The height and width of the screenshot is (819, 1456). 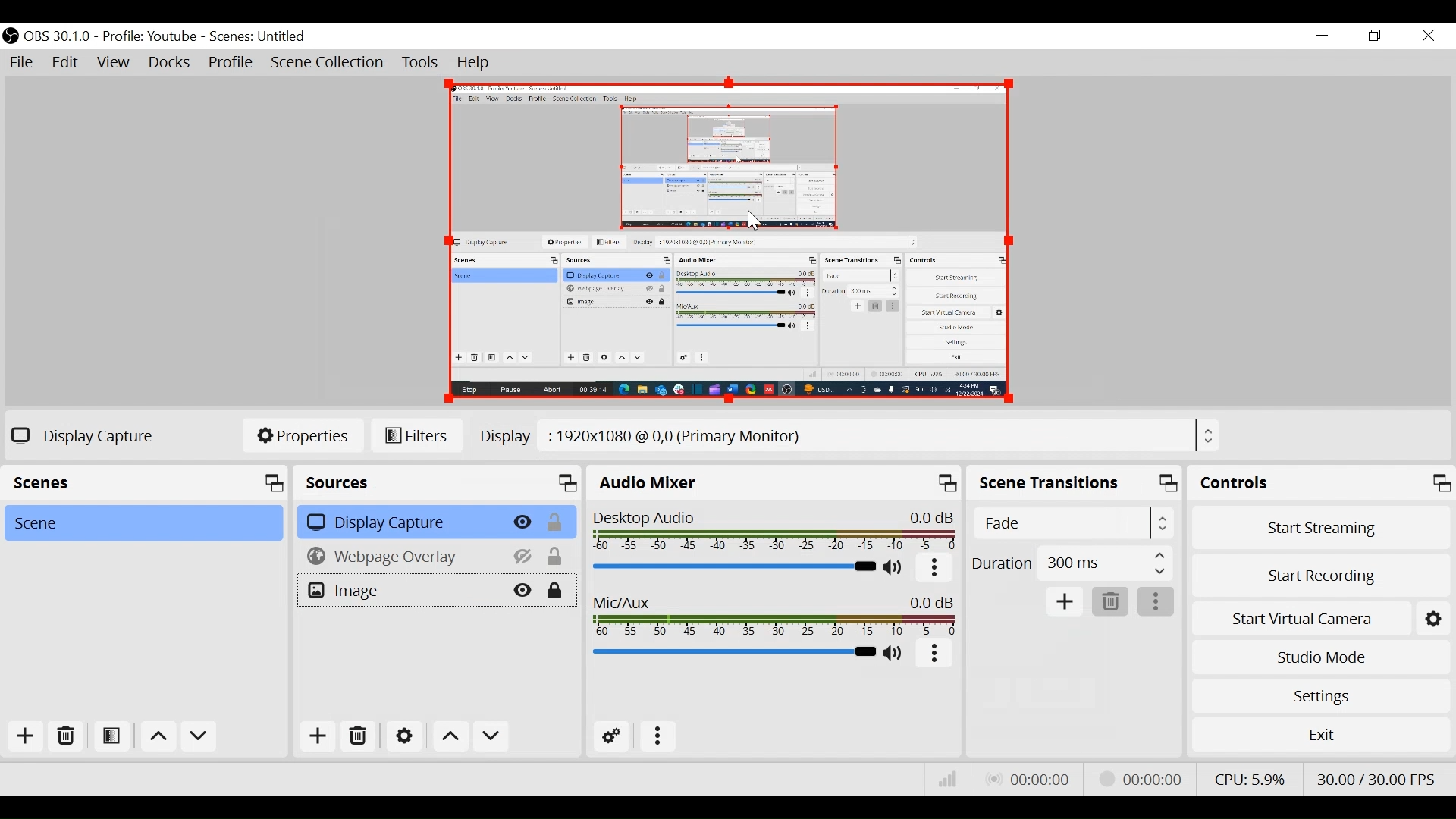 What do you see at coordinates (1145, 777) in the screenshot?
I see `Recording Status` at bounding box center [1145, 777].